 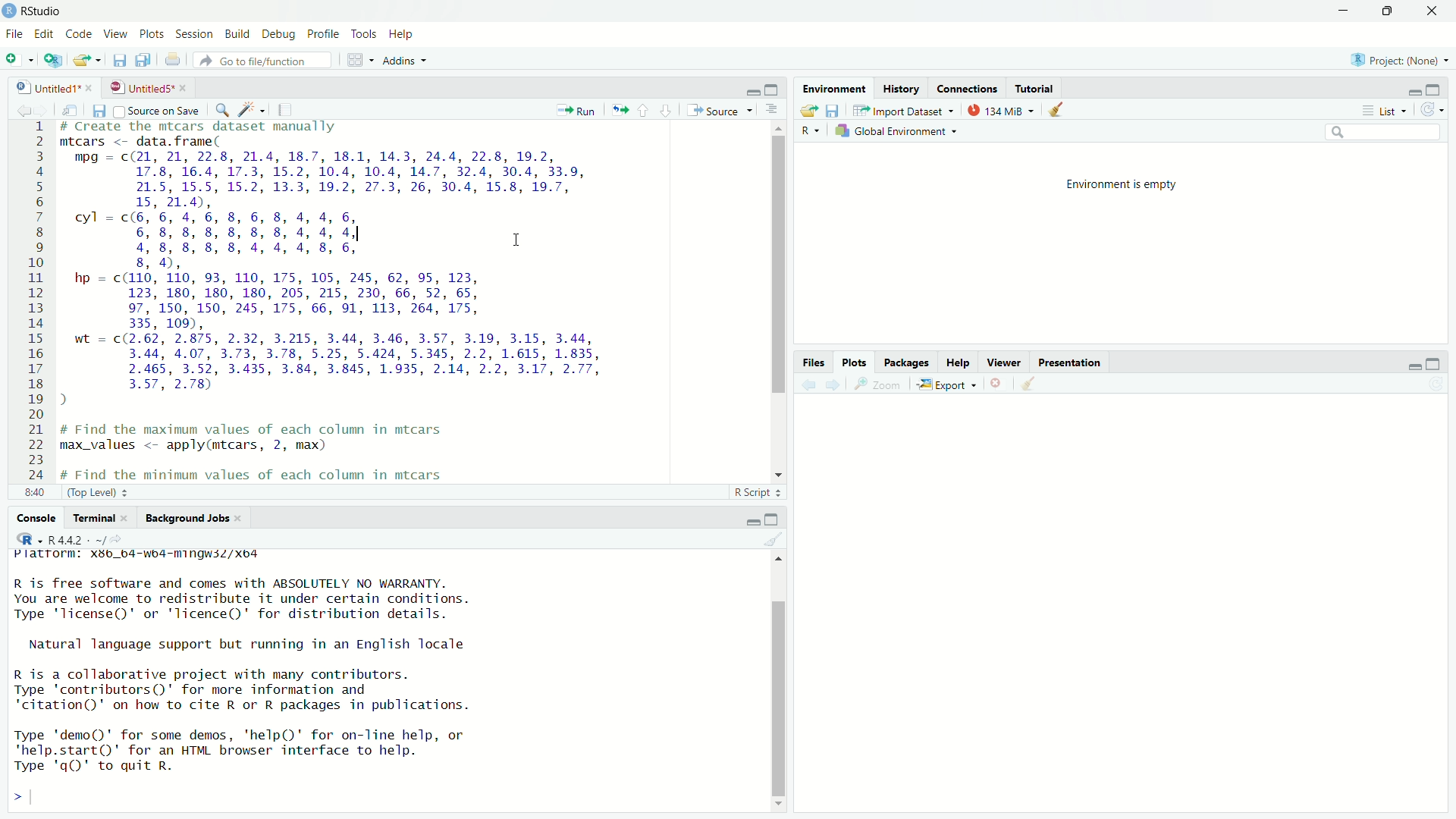 What do you see at coordinates (287, 678) in the screenshot?
I see `platrorm: x¥b_b4-wo4-mingw3Z/xo4

R is free software and comes with ABSOLUTELY NO WARRANTY.

You are welcome to redistribute it under certain conditions.

Type 'license()' or 'licence()' for distribution details.
Natural language support but running in an English locale

R is a collaborative project with many contributors.

Type 'contributors()' for more information and

'citation()' on how to cite R or R packages in publications.

Type 'demo()' for some demos, 'help()' for on-Tine help, or

'help.start()"' for an HTML browser interface to help.

Type 'qQ' to quit R.

>` at bounding box center [287, 678].